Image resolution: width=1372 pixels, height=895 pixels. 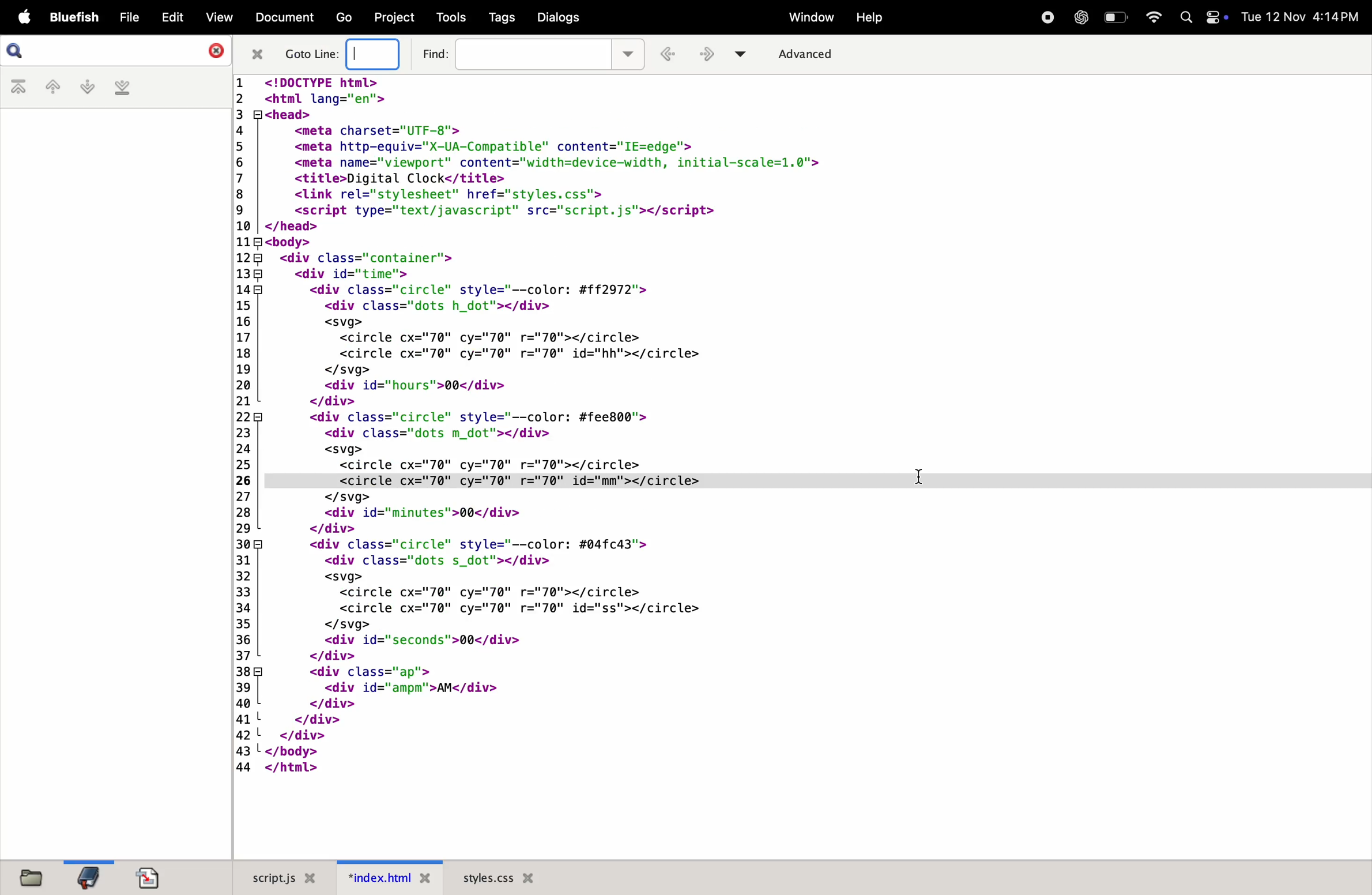 What do you see at coordinates (434, 52) in the screenshot?
I see `find` at bounding box center [434, 52].